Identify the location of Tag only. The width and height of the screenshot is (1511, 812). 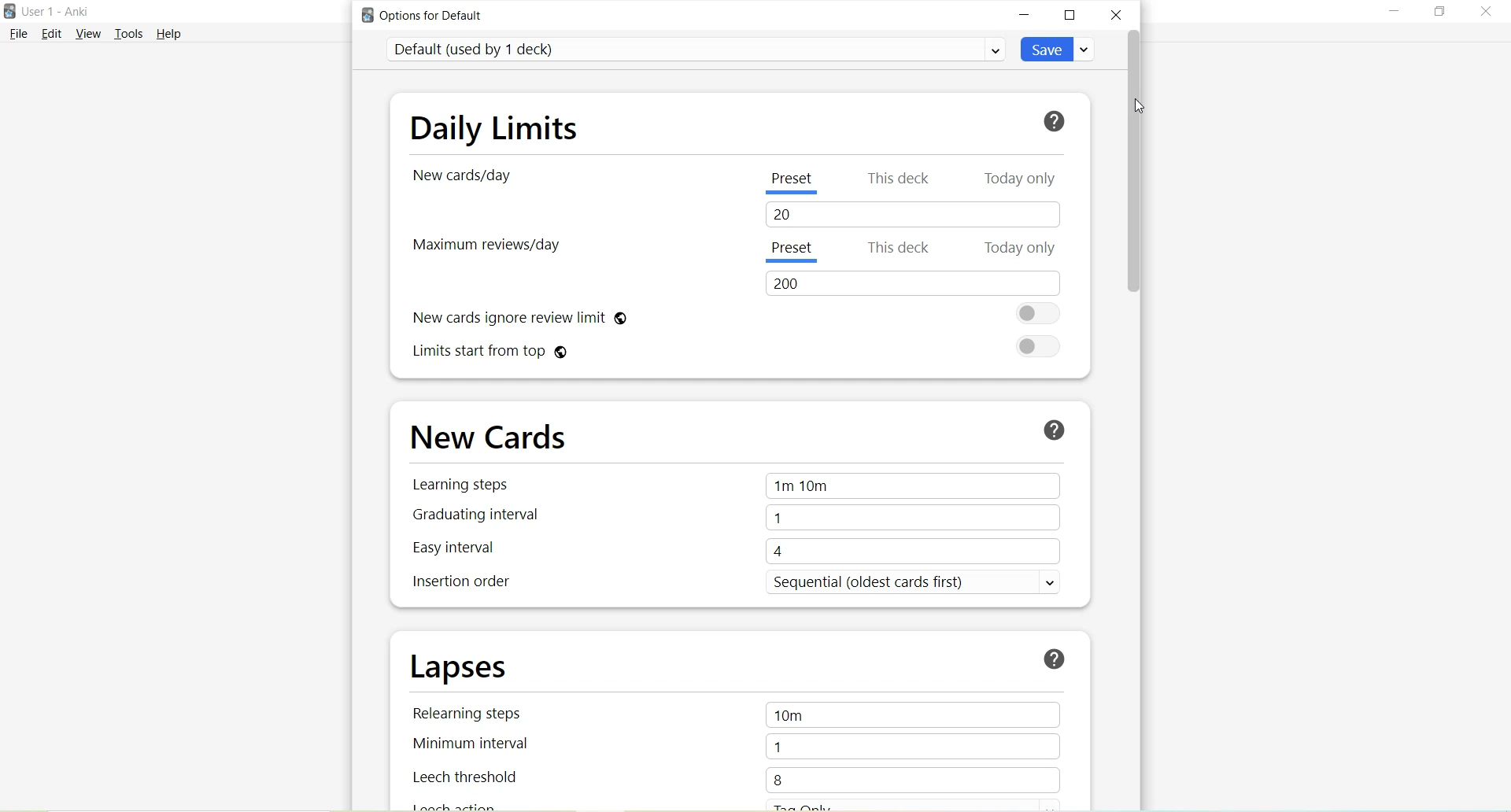
(836, 804).